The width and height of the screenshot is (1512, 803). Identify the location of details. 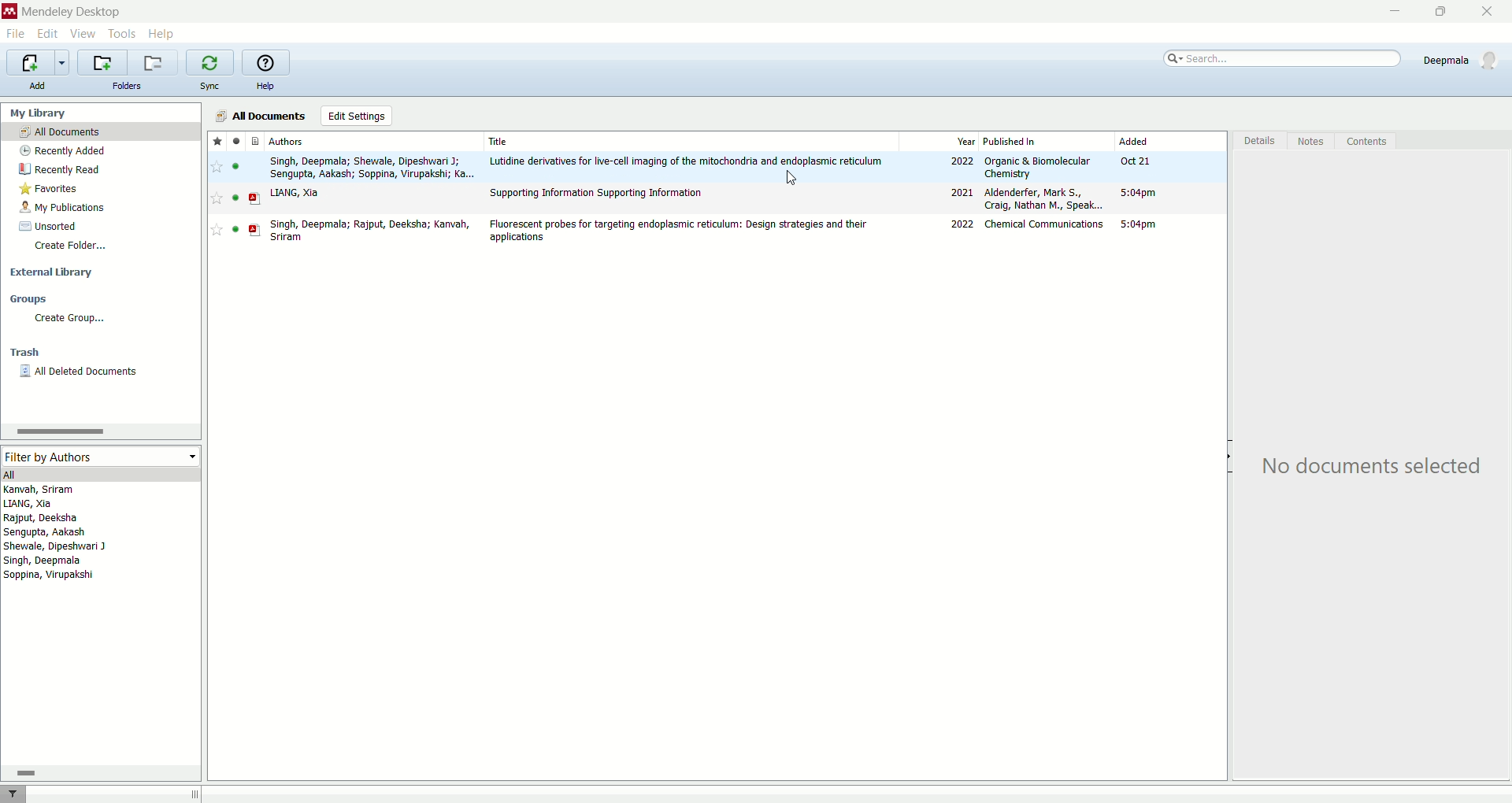
(1258, 141).